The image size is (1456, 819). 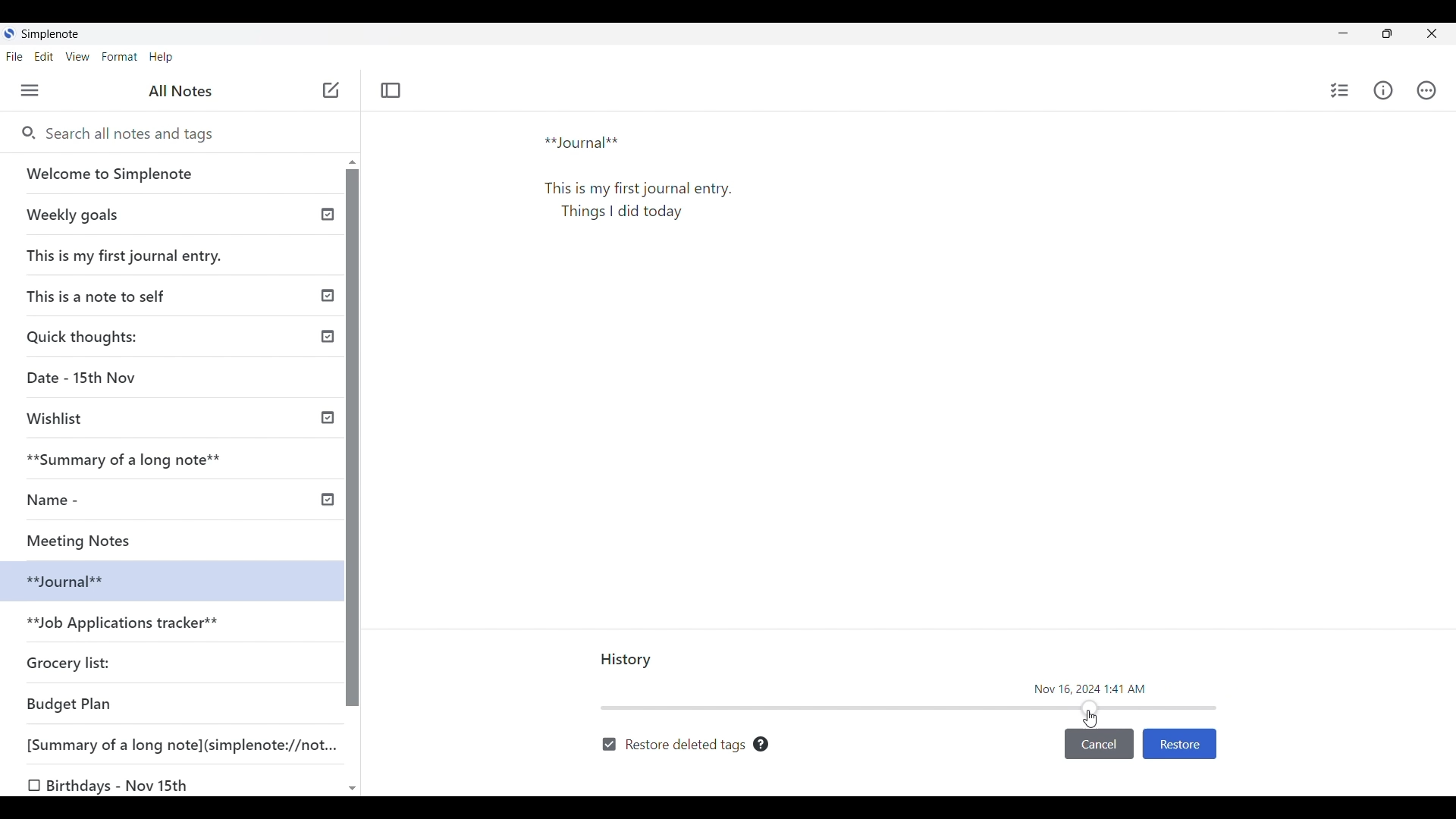 I want to click on Software logo, so click(x=9, y=33).